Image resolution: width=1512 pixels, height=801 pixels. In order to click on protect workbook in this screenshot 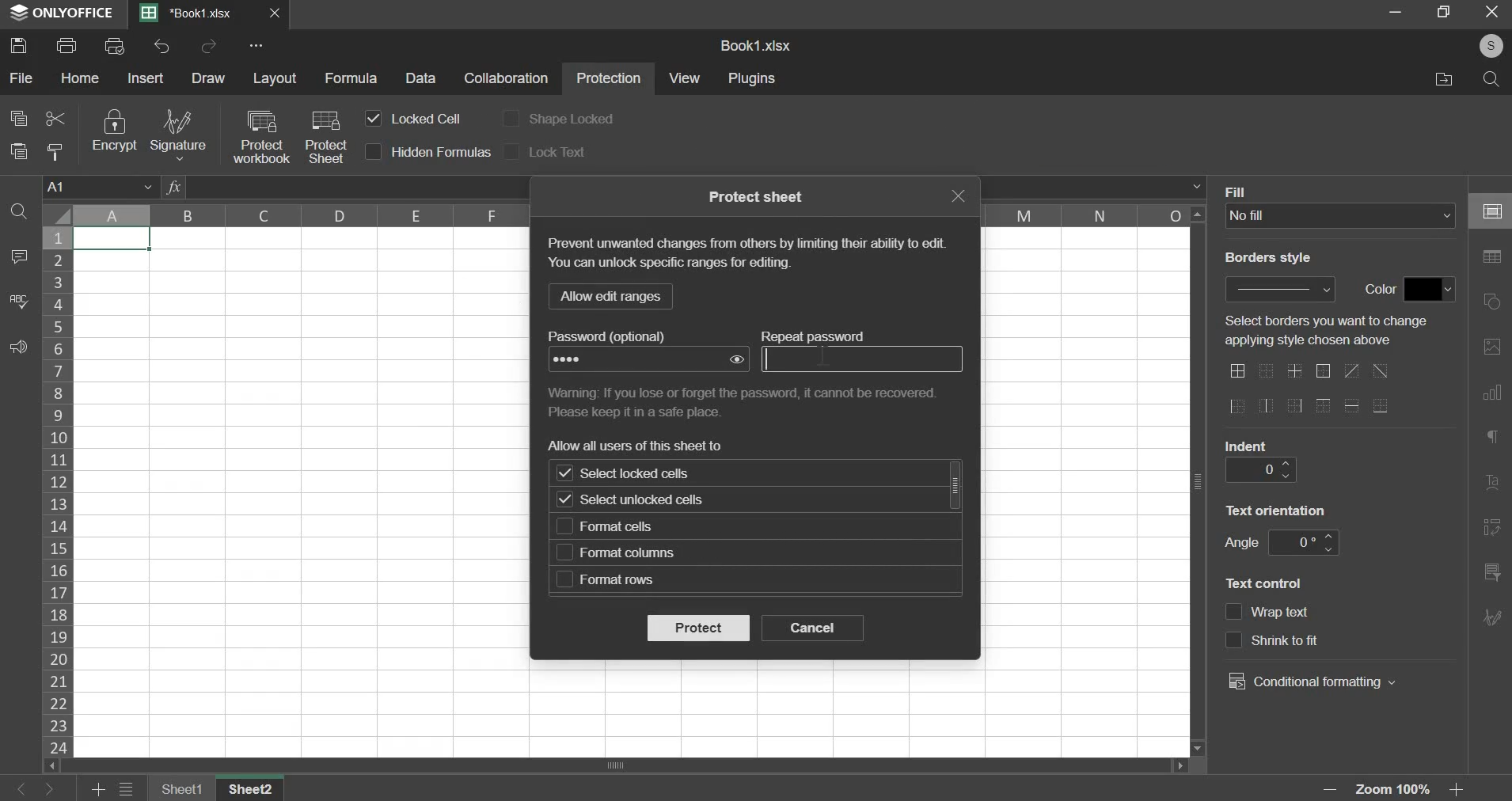, I will do `click(260, 136)`.